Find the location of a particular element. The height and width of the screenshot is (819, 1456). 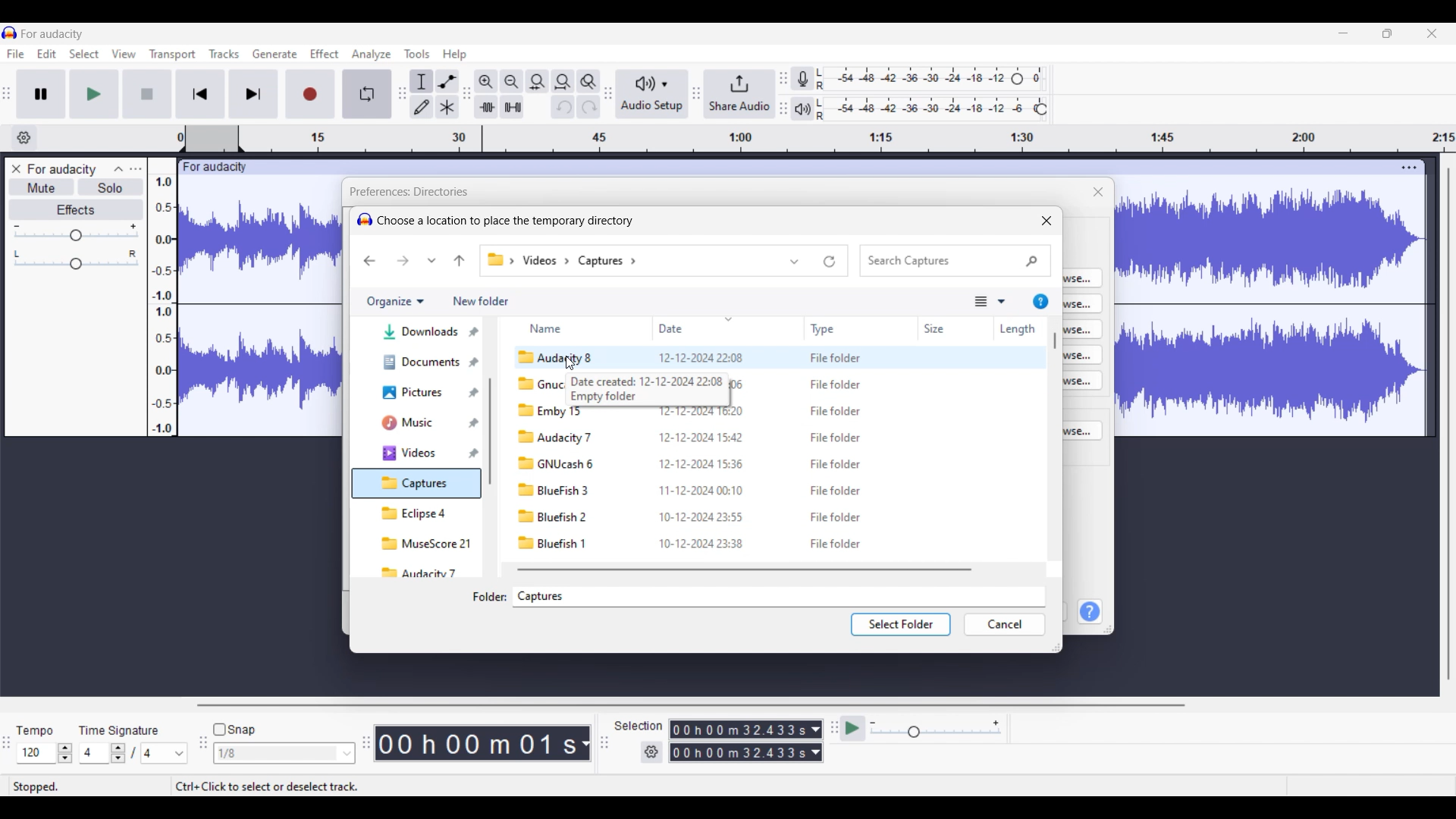

11-12-2024 00:10 is located at coordinates (702, 490).